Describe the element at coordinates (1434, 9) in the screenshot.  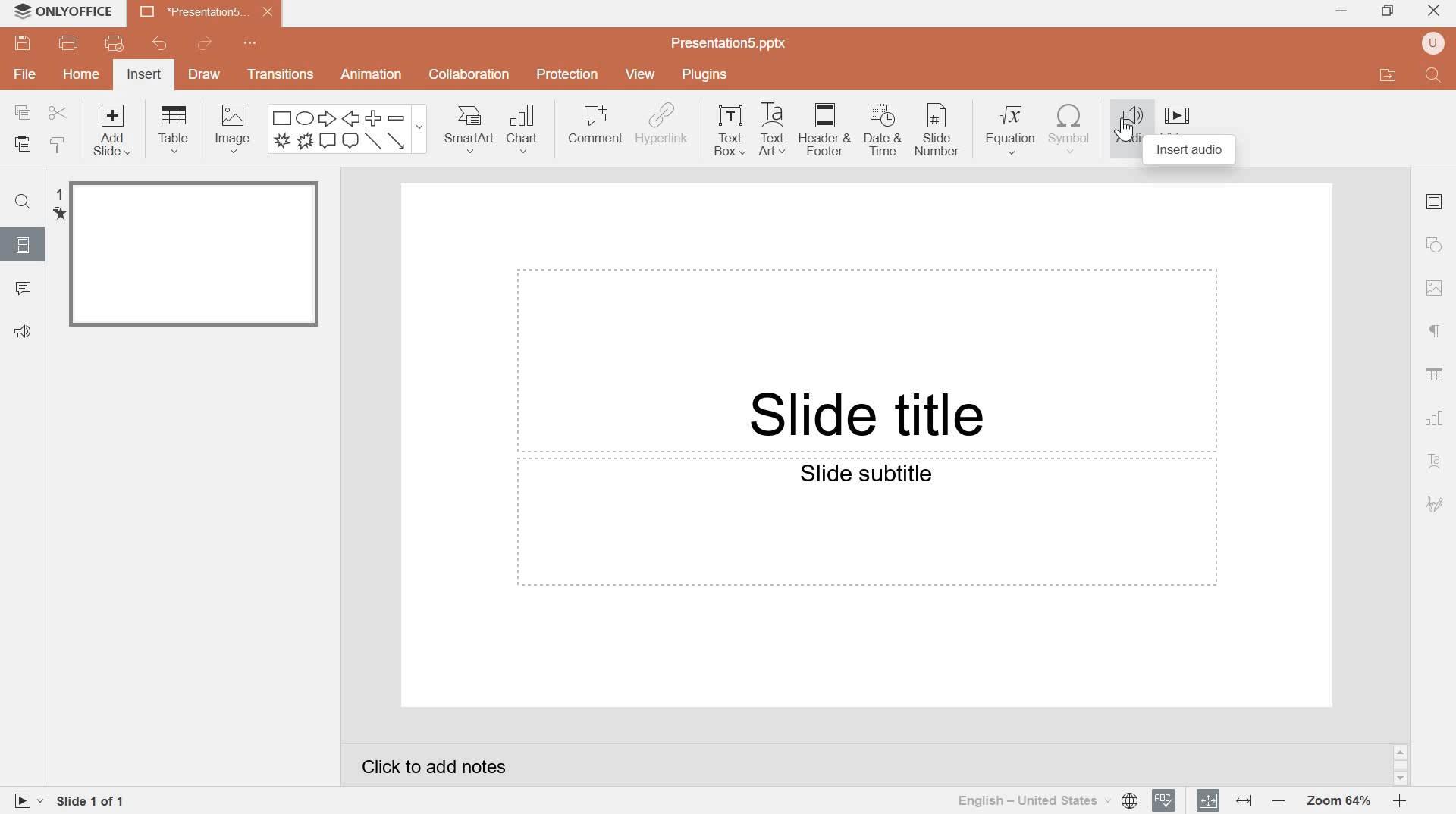
I see `close` at that location.